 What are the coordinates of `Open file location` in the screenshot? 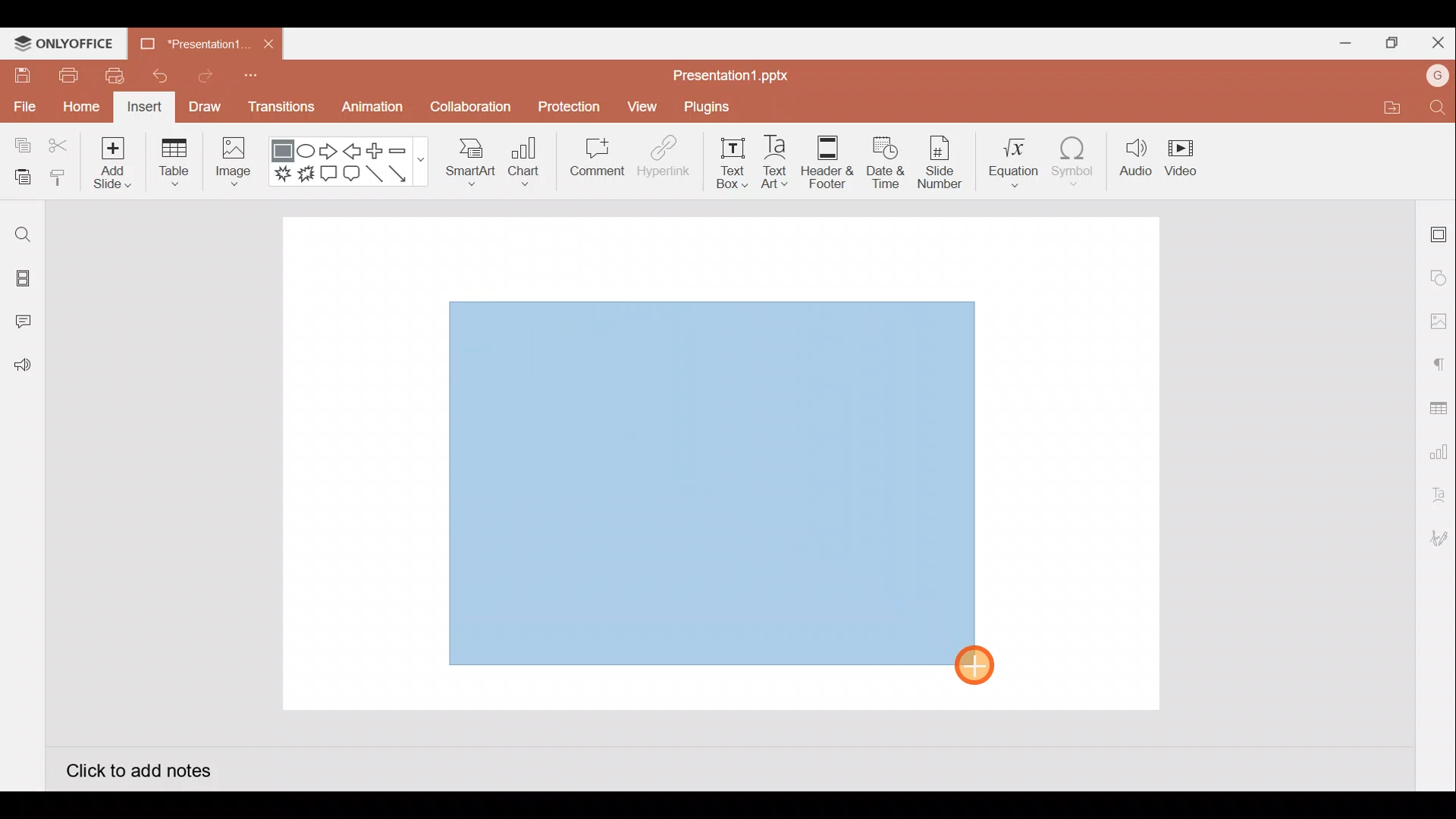 It's located at (1389, 107).